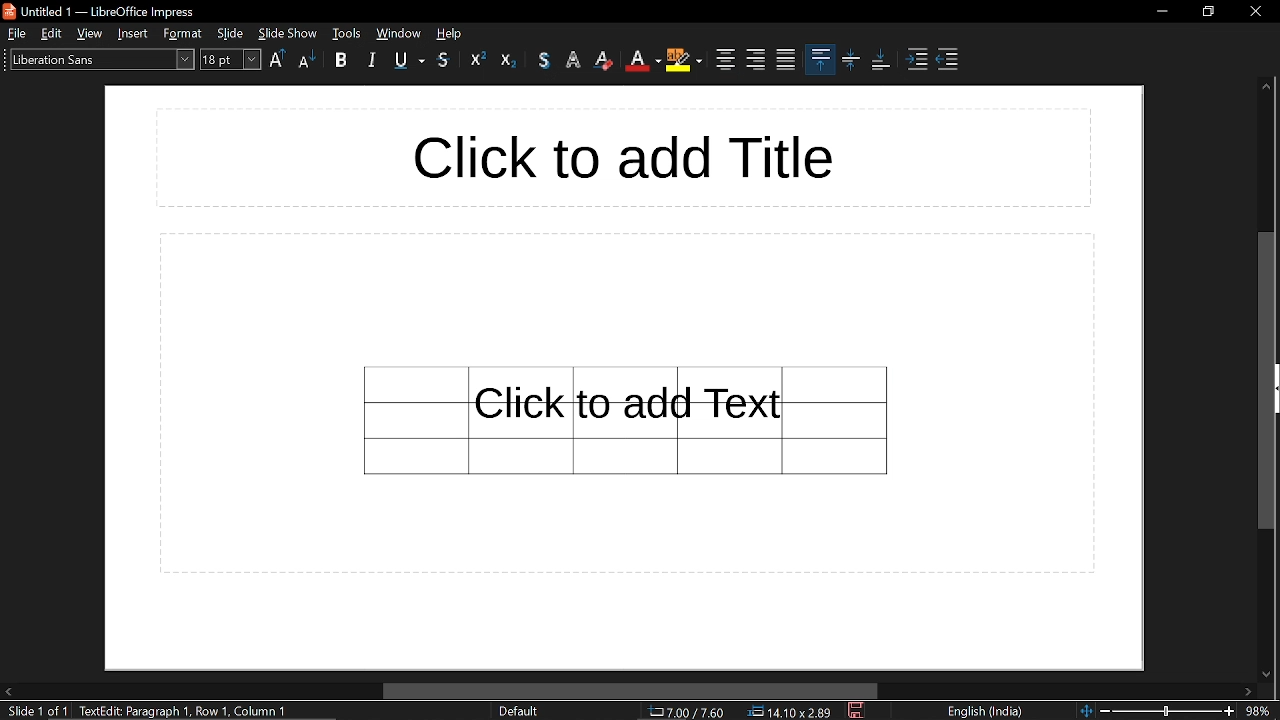 The image size is (1280, 720). I want to click on insert, so click(134, 33).